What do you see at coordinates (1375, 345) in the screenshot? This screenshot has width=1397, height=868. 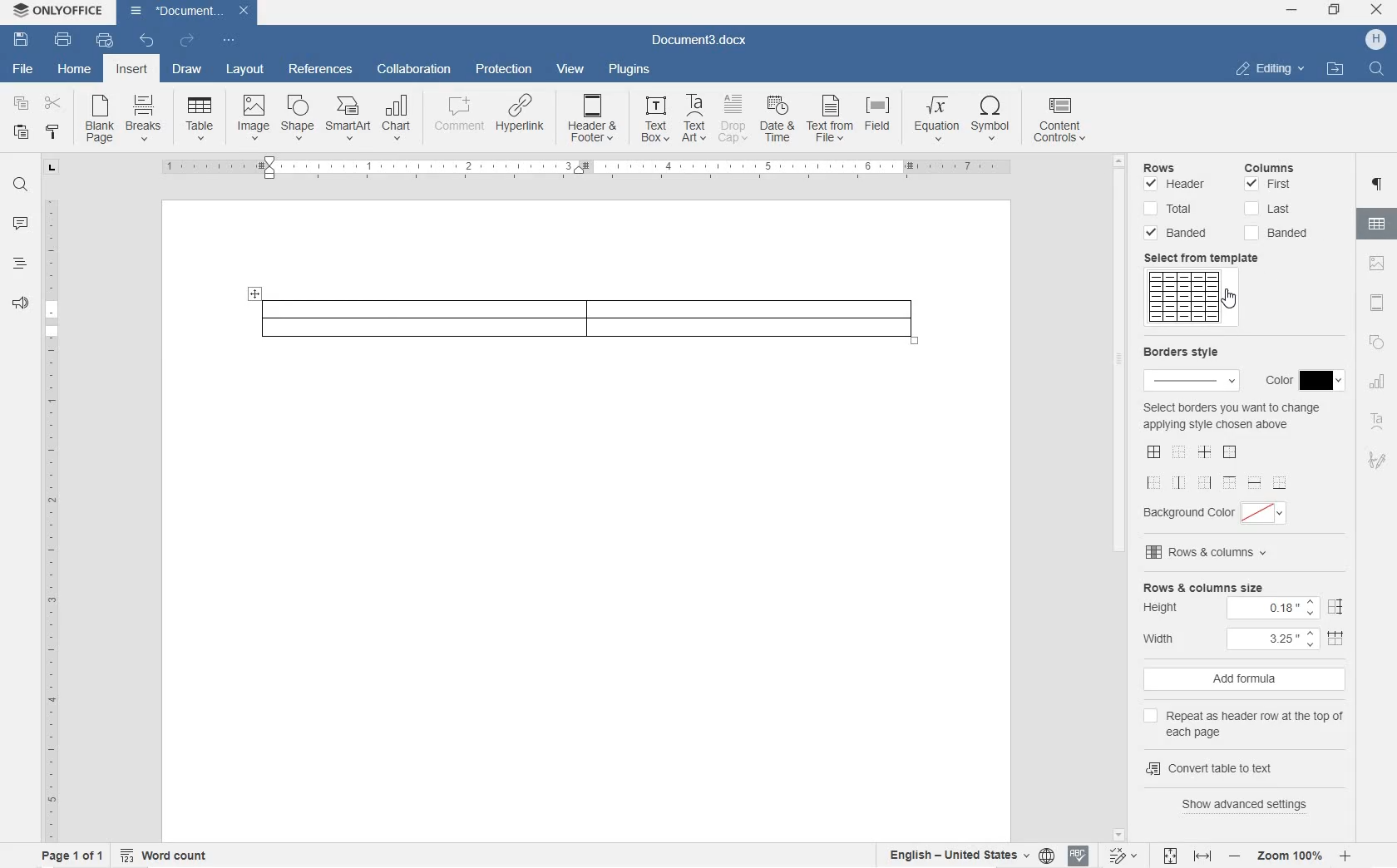 I see `SHAPE` at bounding box center [1375, 345].